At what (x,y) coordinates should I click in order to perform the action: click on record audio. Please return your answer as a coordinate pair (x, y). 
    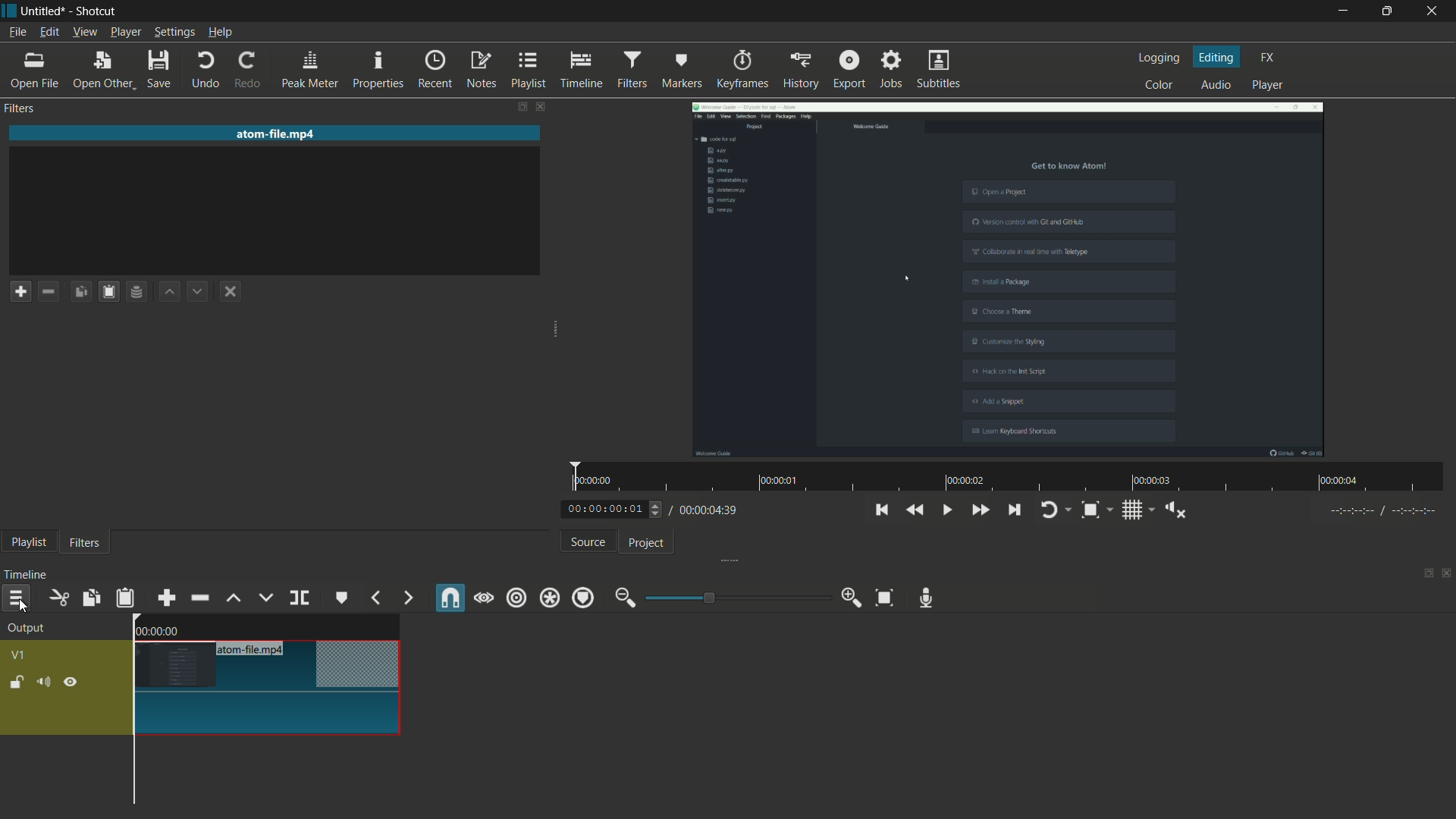
    Looking at the image, I should click on (926, 599).